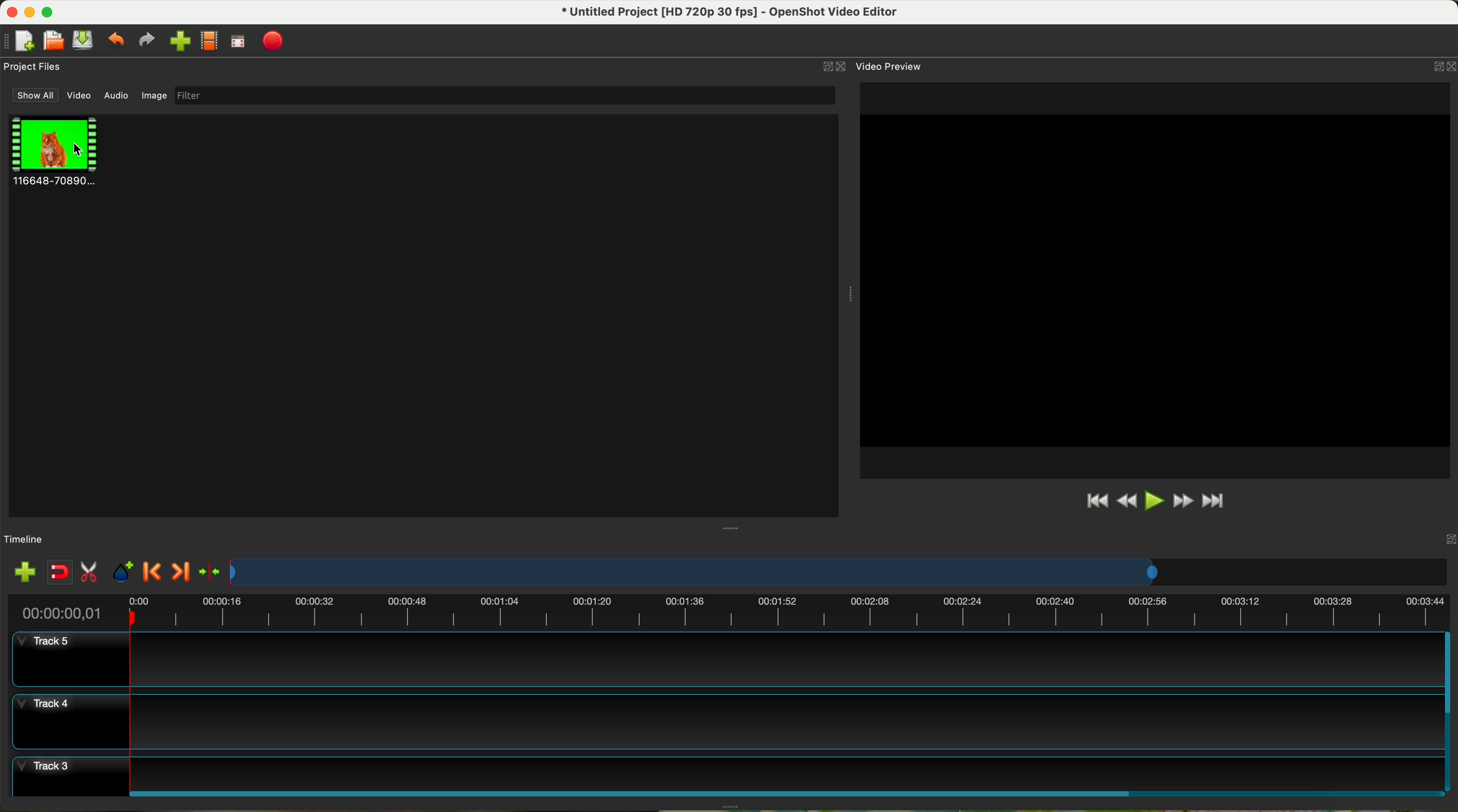 Image resolution: width=1458 pixels, height=812 pixels. What do you see at coordinates (183, 573) in the screenshot?
I see `next marker` at bounding box center [183, 573].